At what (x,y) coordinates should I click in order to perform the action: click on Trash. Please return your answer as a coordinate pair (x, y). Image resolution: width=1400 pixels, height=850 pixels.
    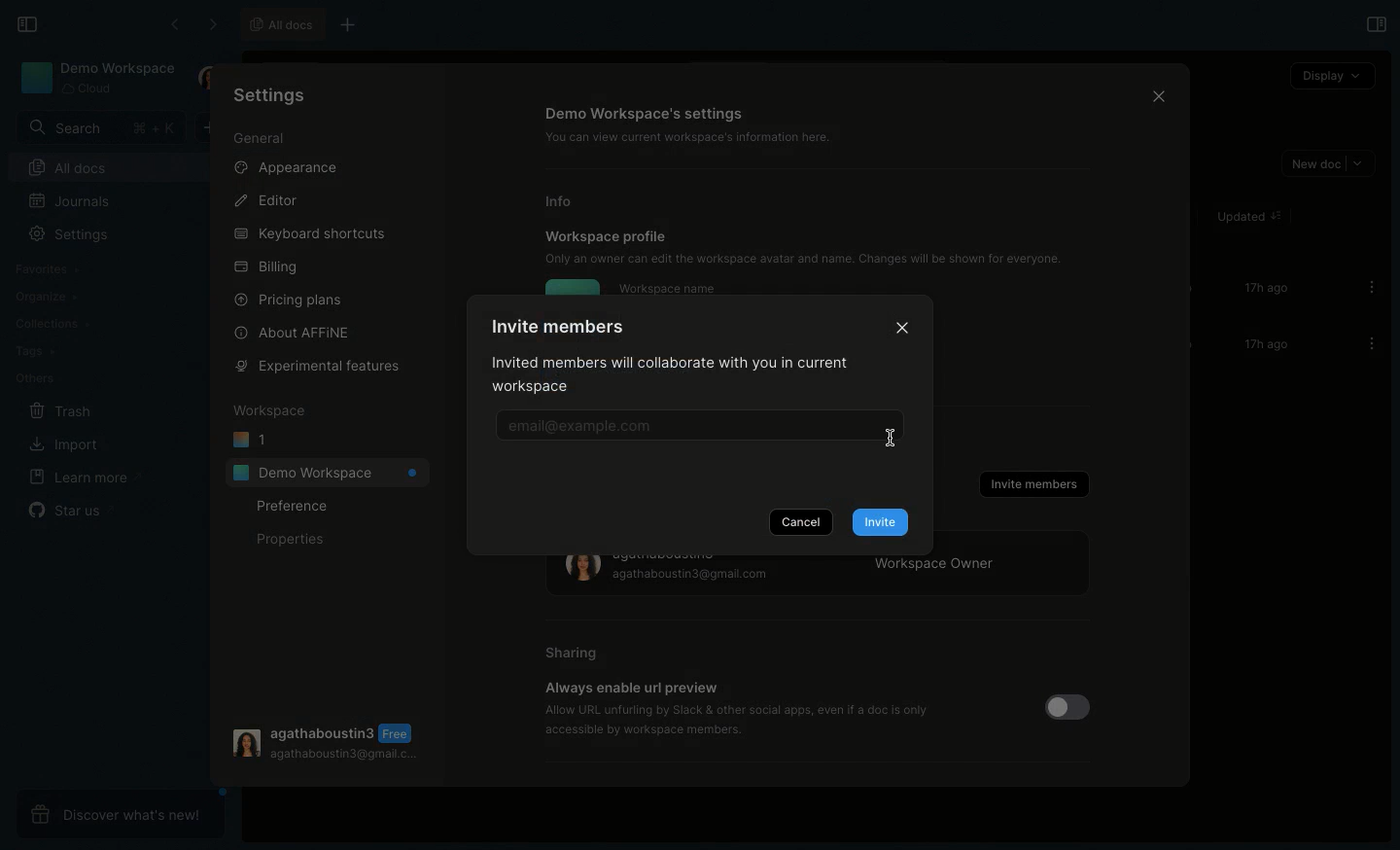
    Looking at the image, I should click on (57, 409).